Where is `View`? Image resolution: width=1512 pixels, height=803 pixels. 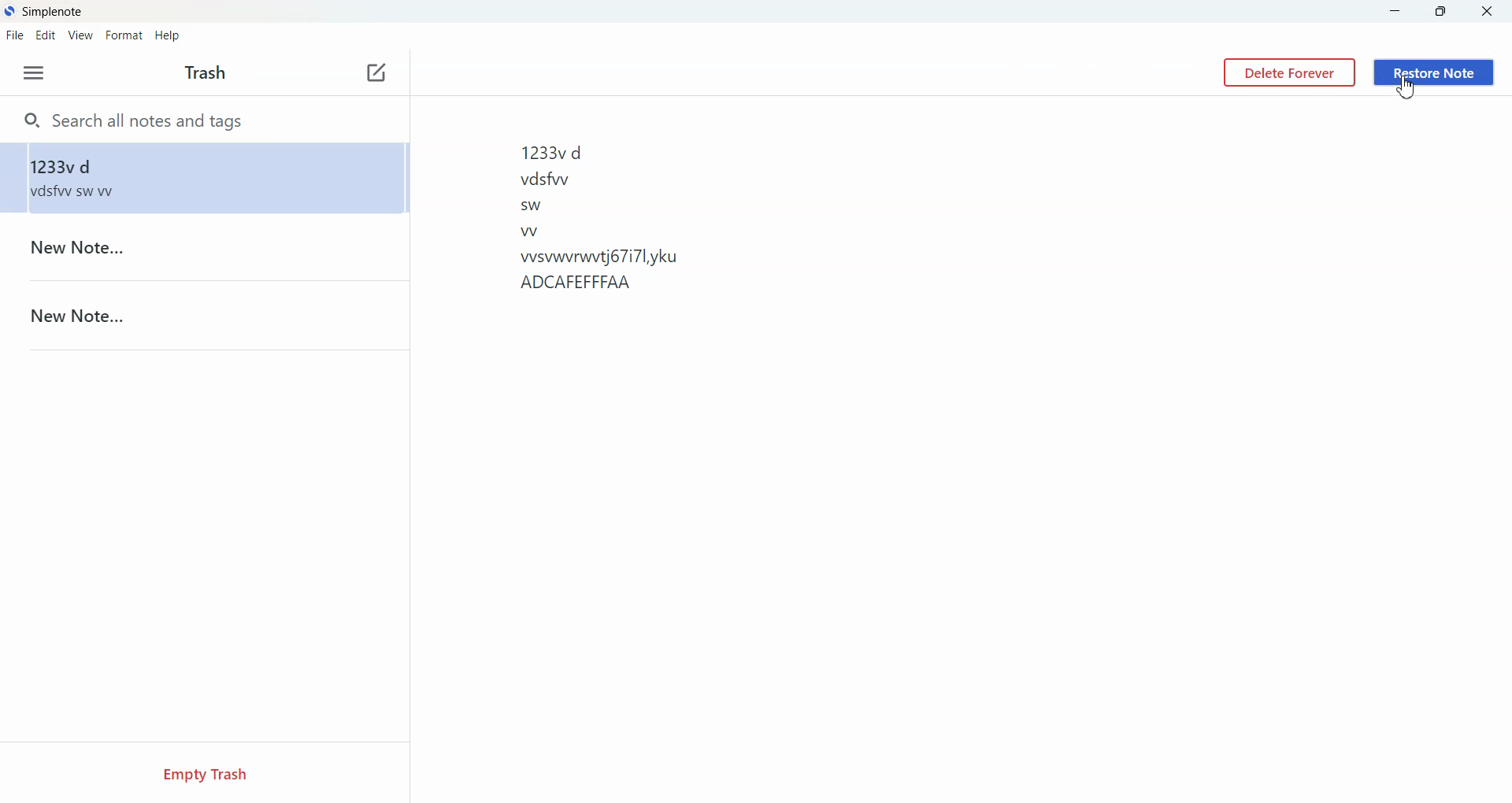
View is located at coordinates (80, 34).